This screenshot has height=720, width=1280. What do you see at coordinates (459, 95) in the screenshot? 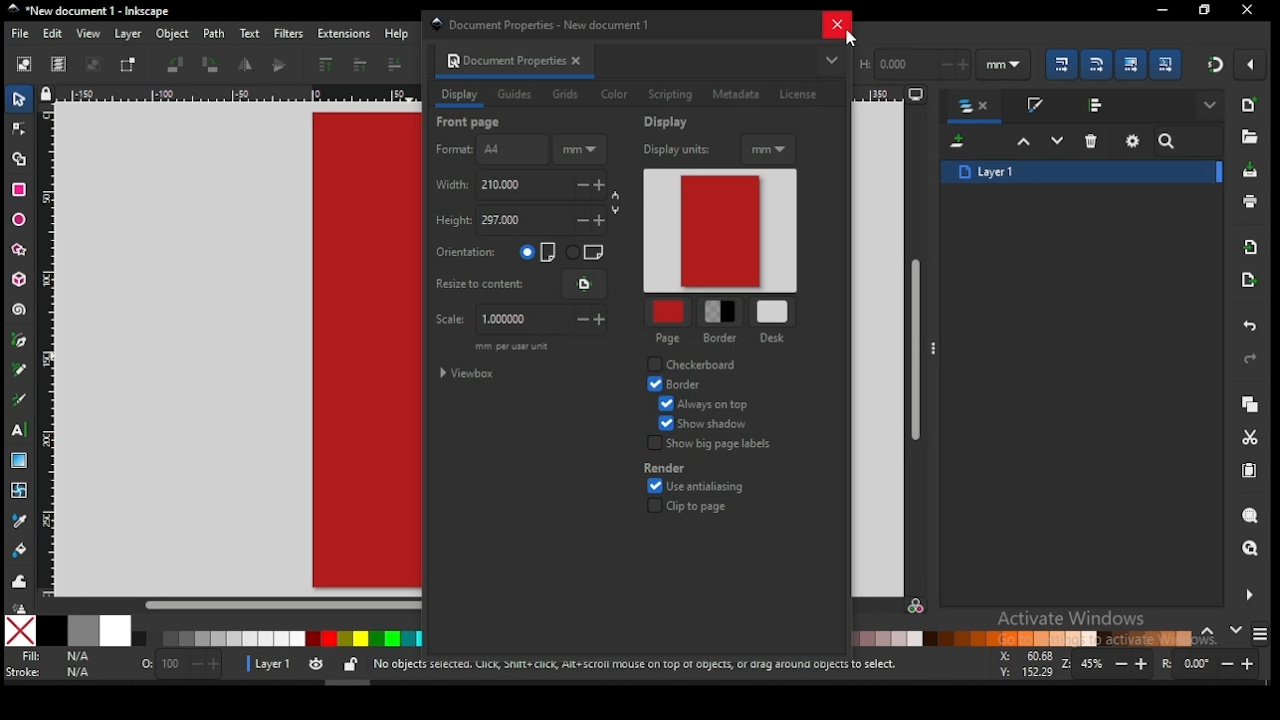
I see `display` at bounding box center [459, 95].